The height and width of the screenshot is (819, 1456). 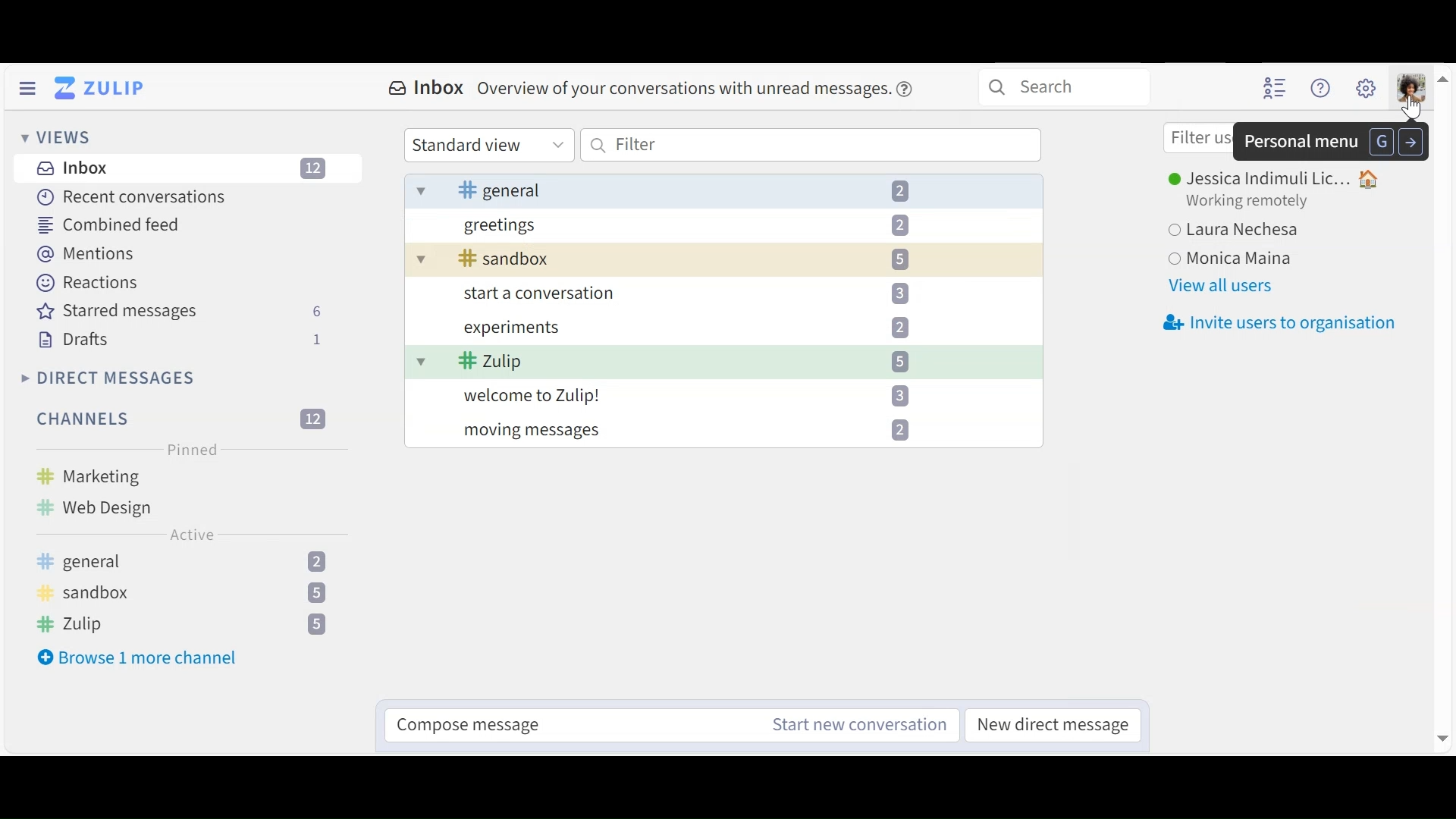 I want to click on Compose message, so click(x=470, y=724).